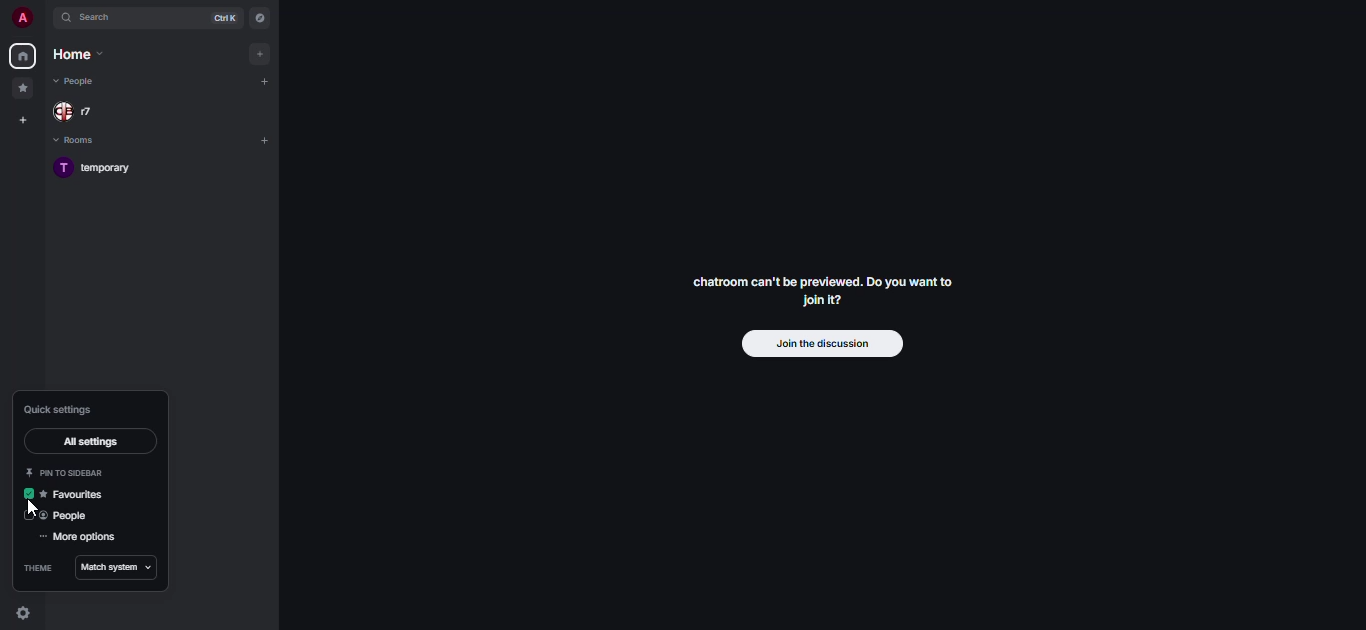  Describe the element at coordinates (63, 473) in the screenshot. I see `pin to sidebar` at that location.